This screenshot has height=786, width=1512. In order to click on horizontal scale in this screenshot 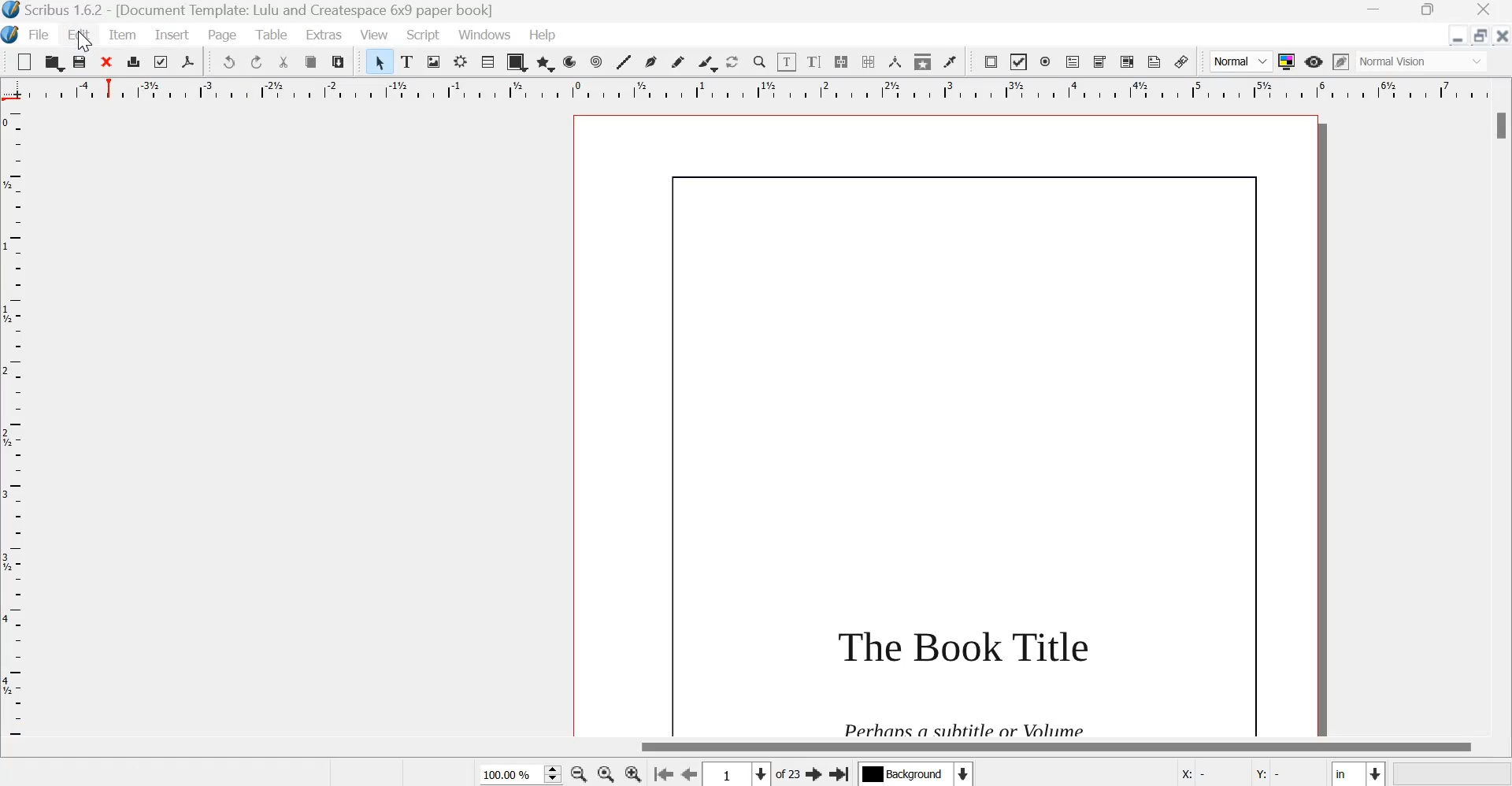, I will do `click(752, 88)`.